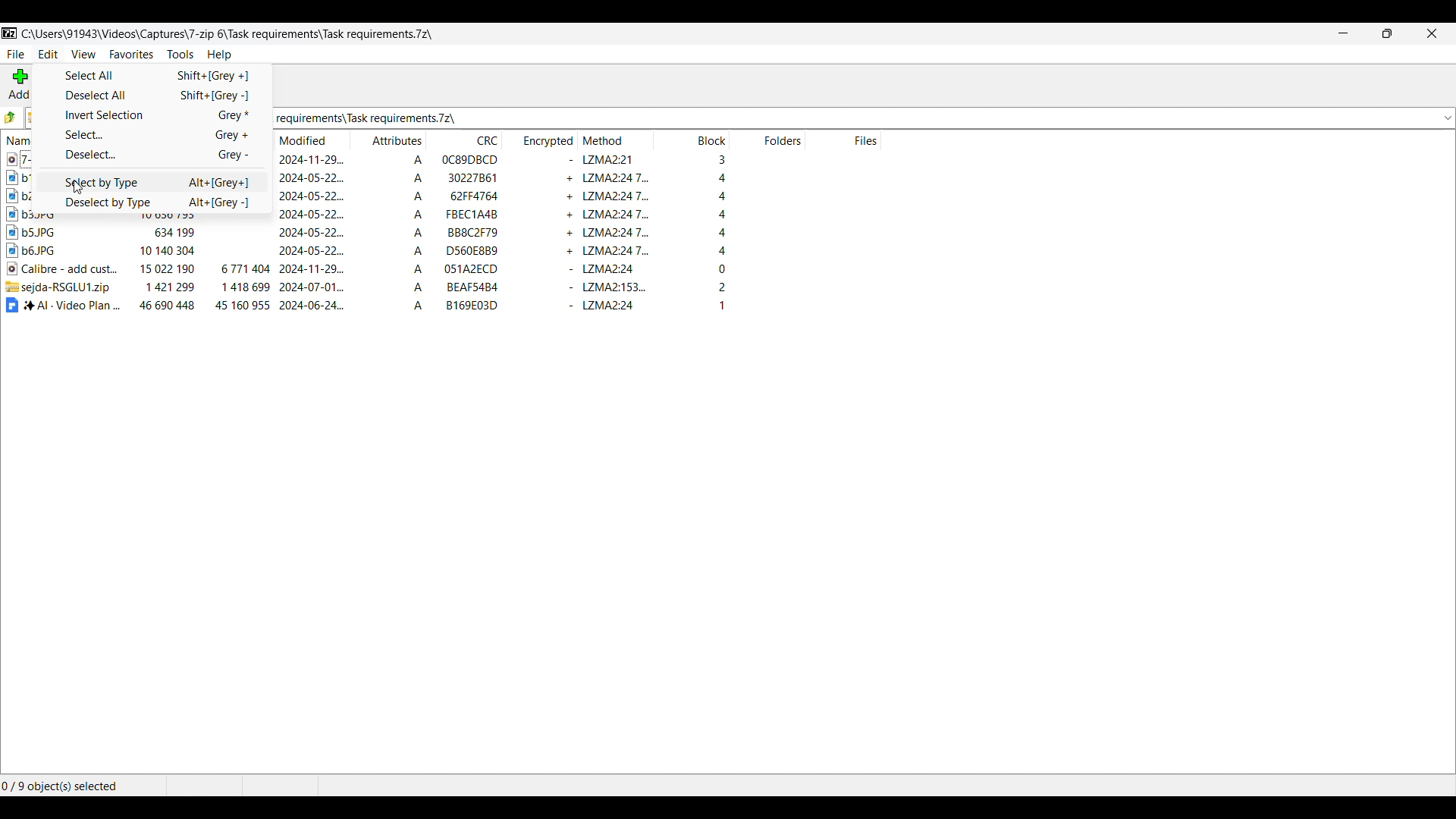 Image resolution: width=1456 pixels, height=819 pixels. What do you see at coordinates (694, 235) in the screenshot?
I see `block` at bounding box center [694, 235].